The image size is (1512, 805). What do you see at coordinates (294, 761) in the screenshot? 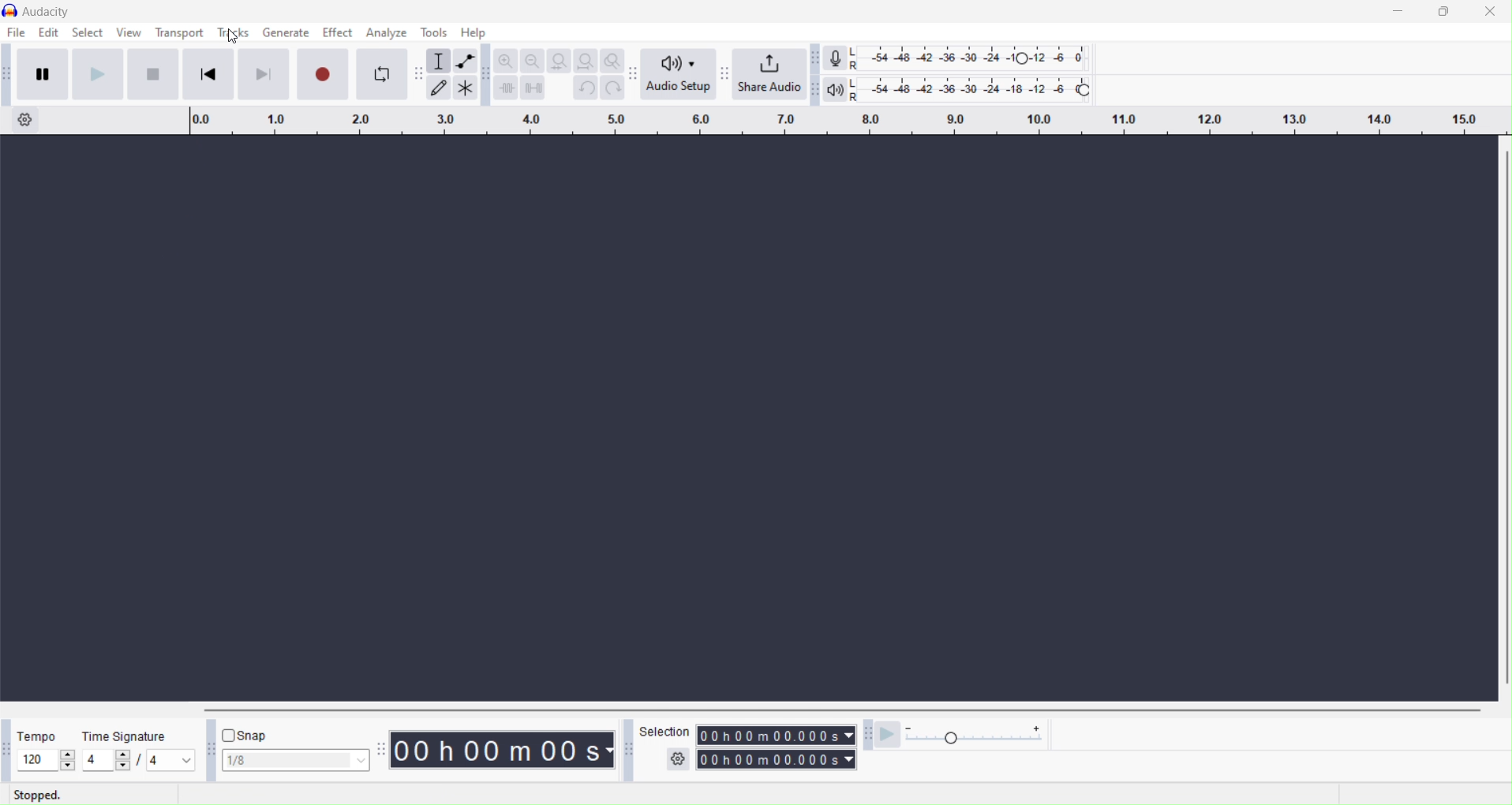
I see `Snap selection` at bounding box center [294, 761].